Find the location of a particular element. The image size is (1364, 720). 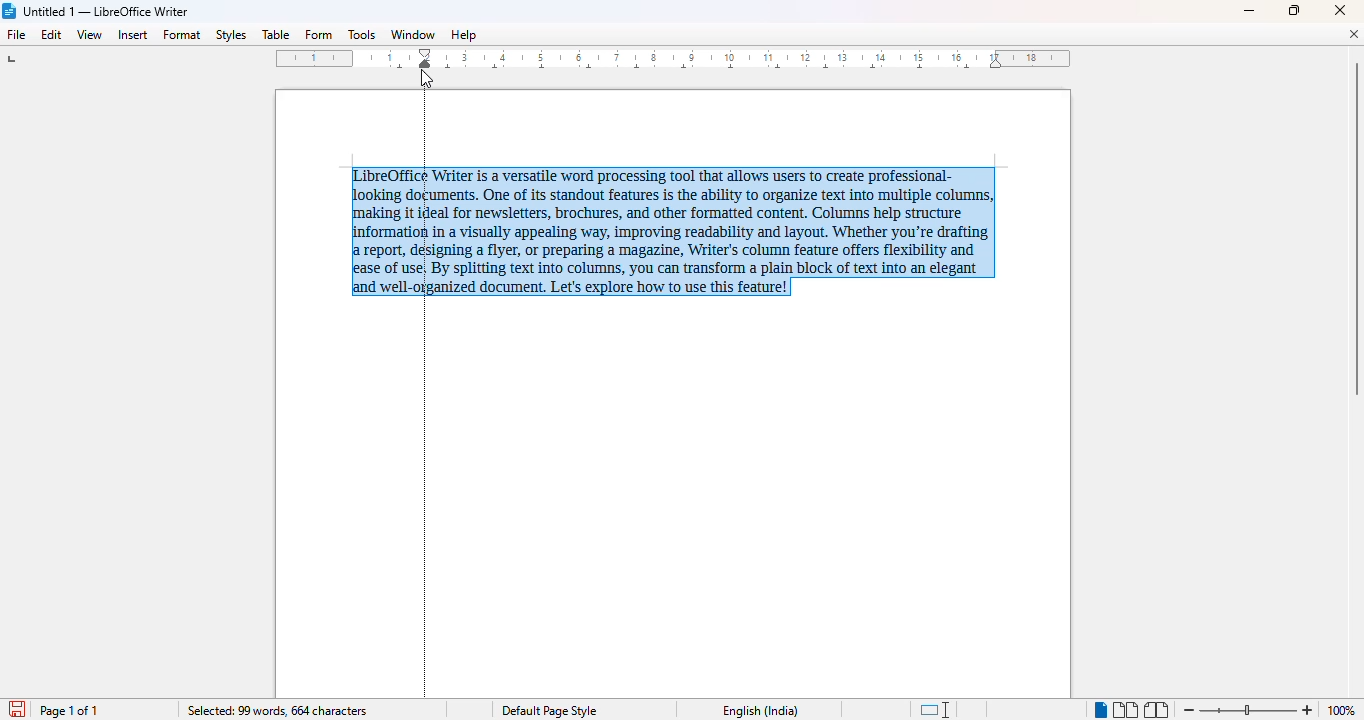

insert is located at coordinates (133, 35).